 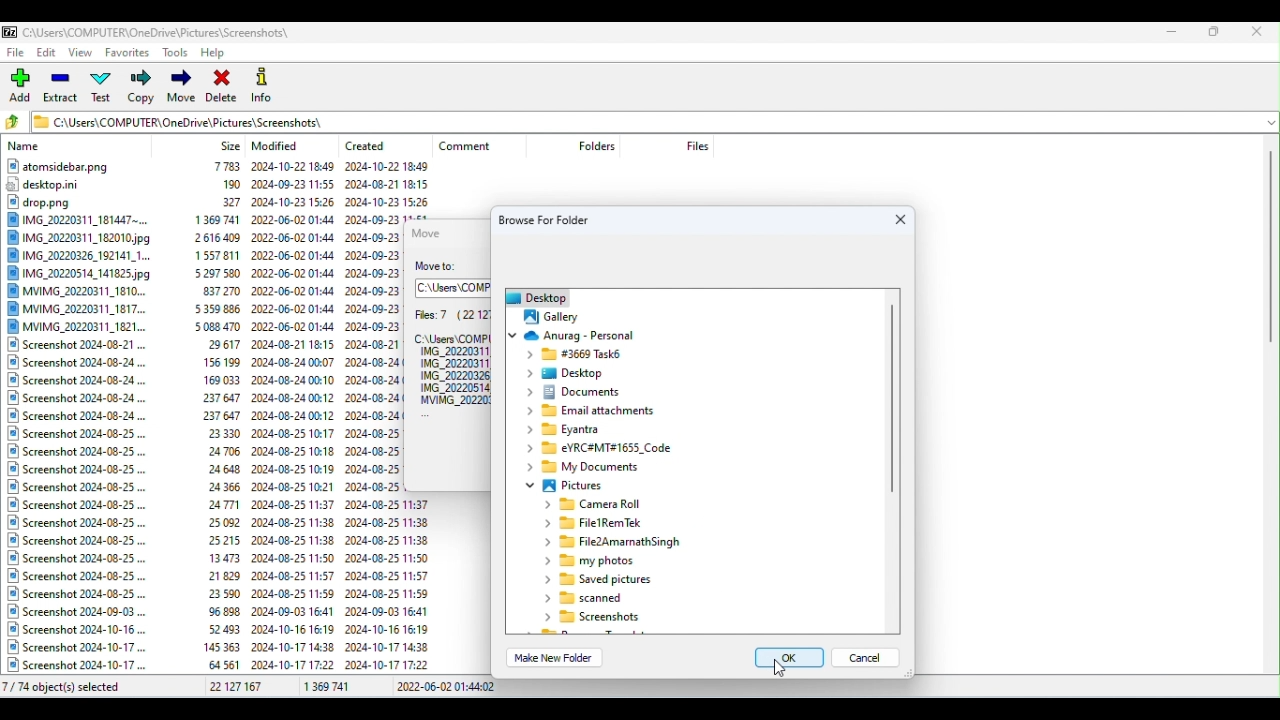 What do you see at coordinates (554, 218) in the screenshot?
I see `Browse for folder` at bounding box center [554, 218].